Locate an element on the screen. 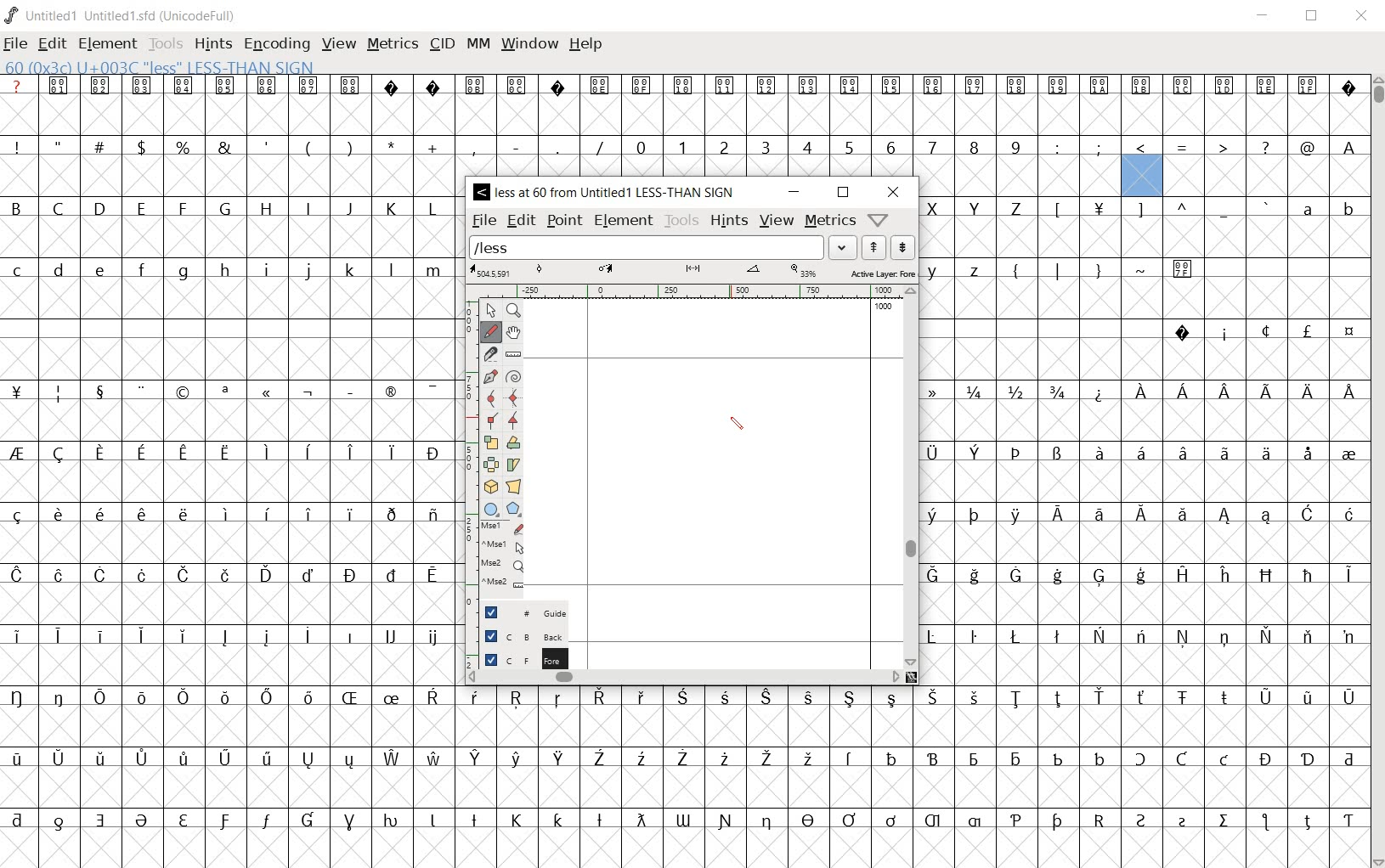 The image size is (1385, 868). point is located at coordinates (564, 221).